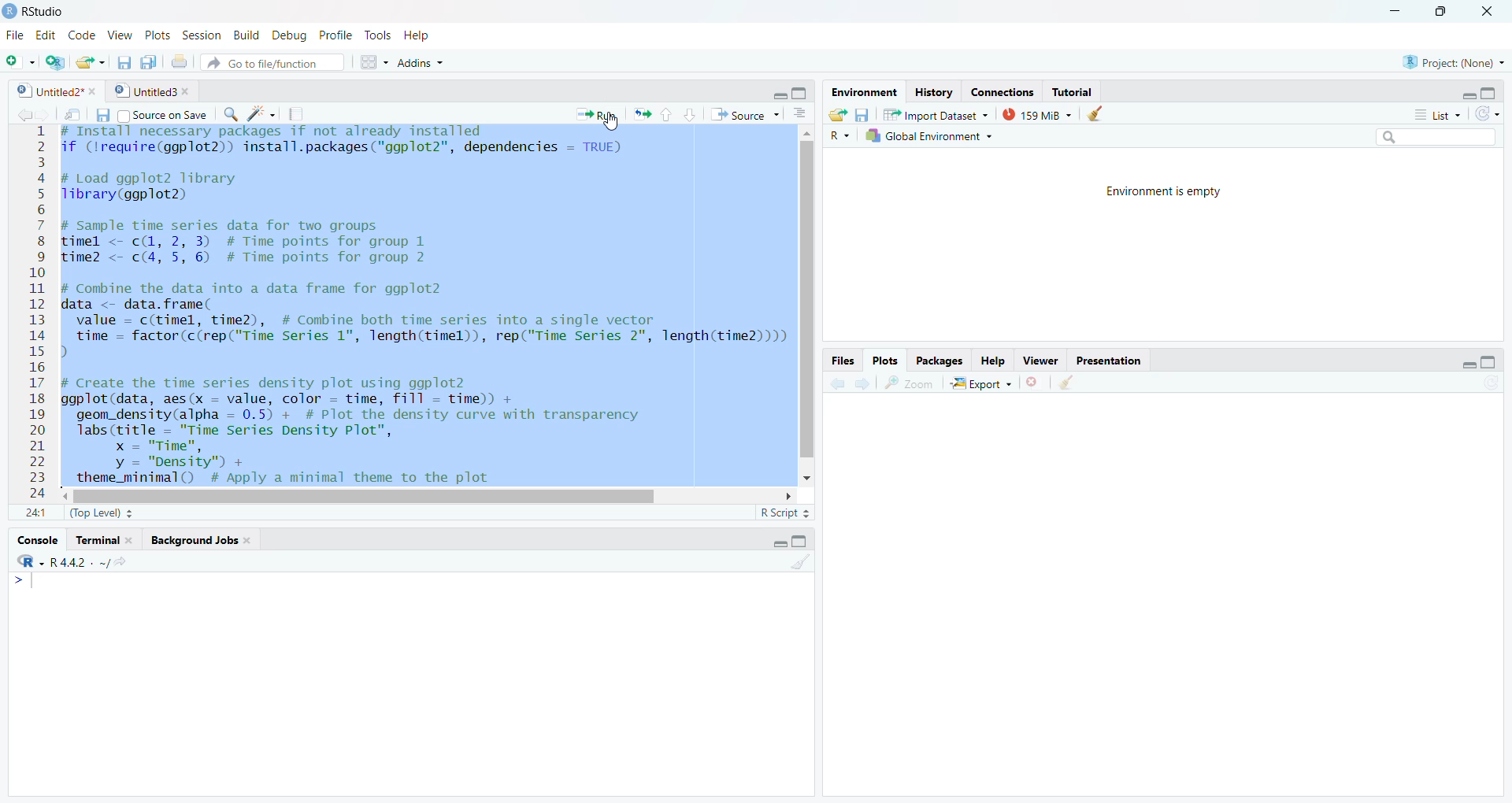 The height and width of the screenshot is (803, 1512). I want to click on Refresh, so click(1488, 115).